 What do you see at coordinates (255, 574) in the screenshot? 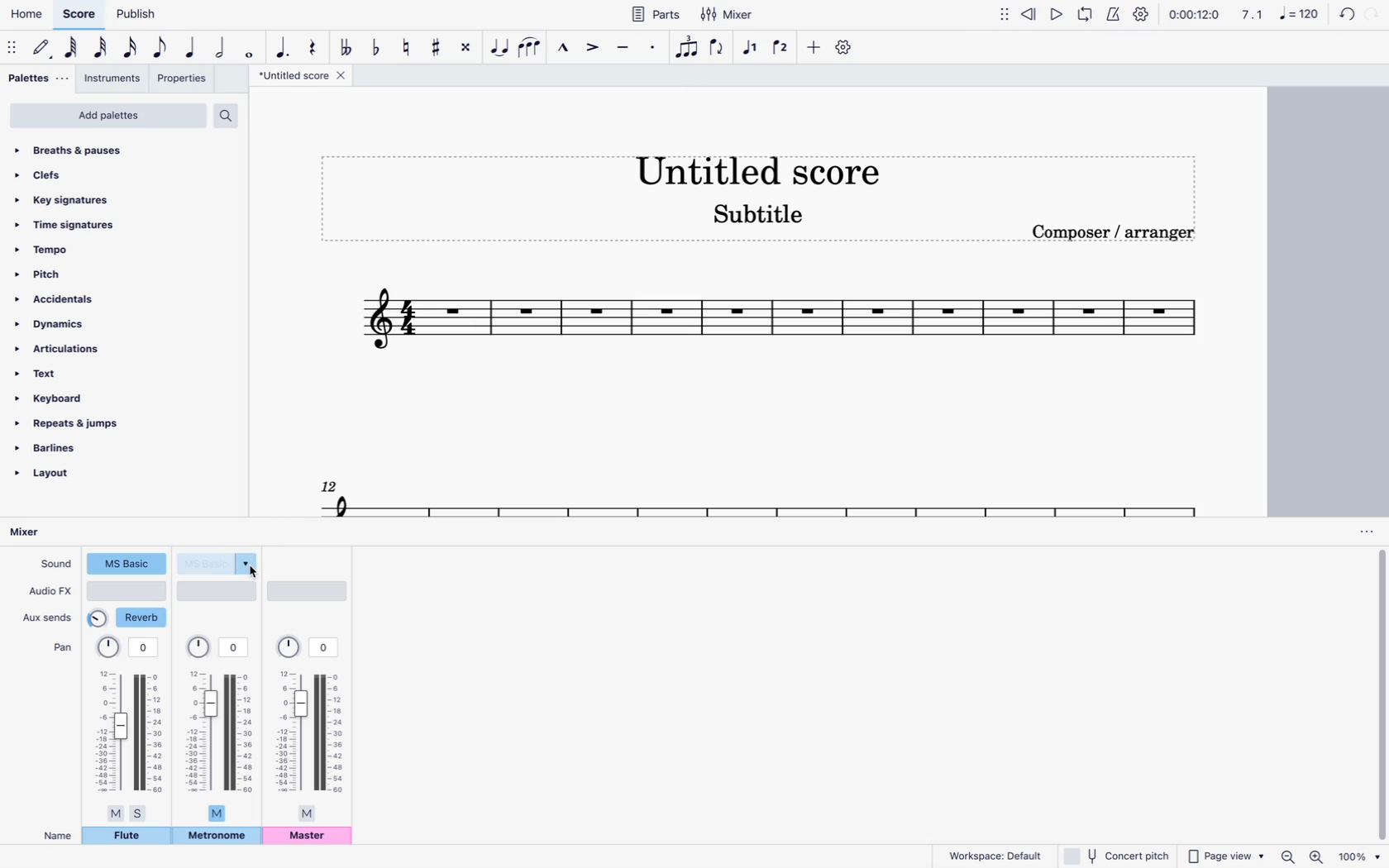
I see `cursor` at bounding box center [255, 574].